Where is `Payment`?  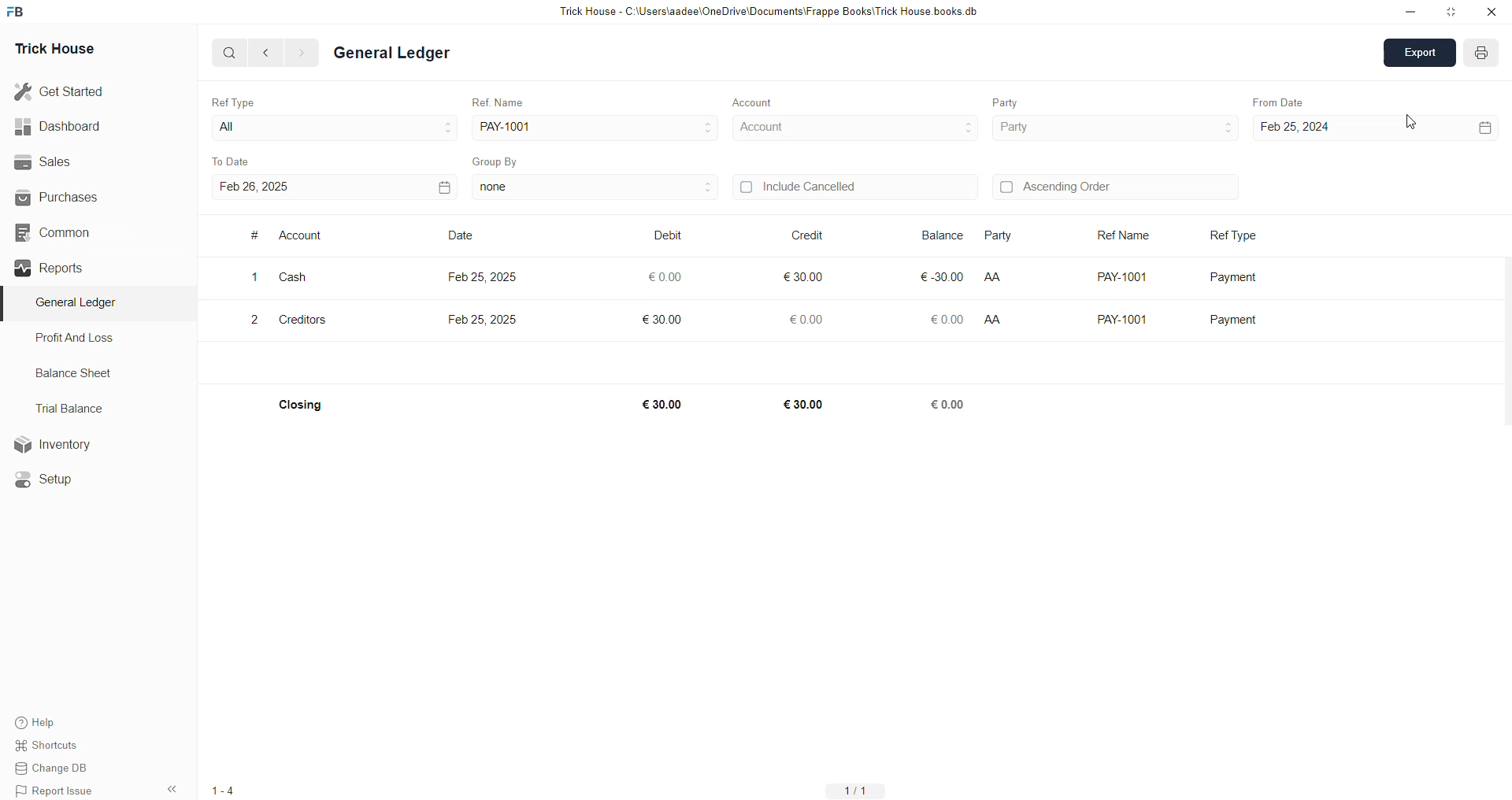 Payment is located at coordinates (1238, 319).